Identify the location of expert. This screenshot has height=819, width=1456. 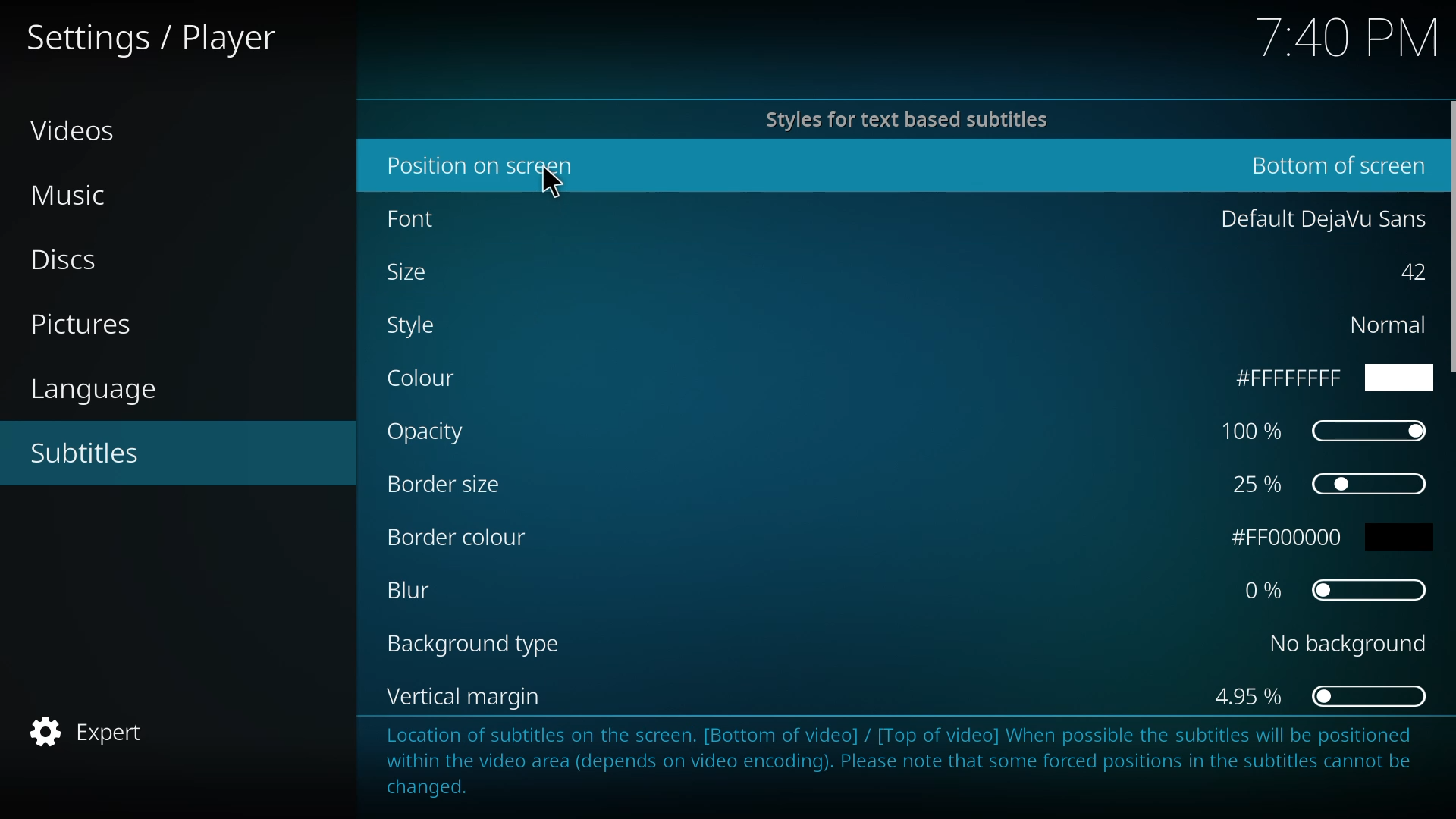
(98, 727).